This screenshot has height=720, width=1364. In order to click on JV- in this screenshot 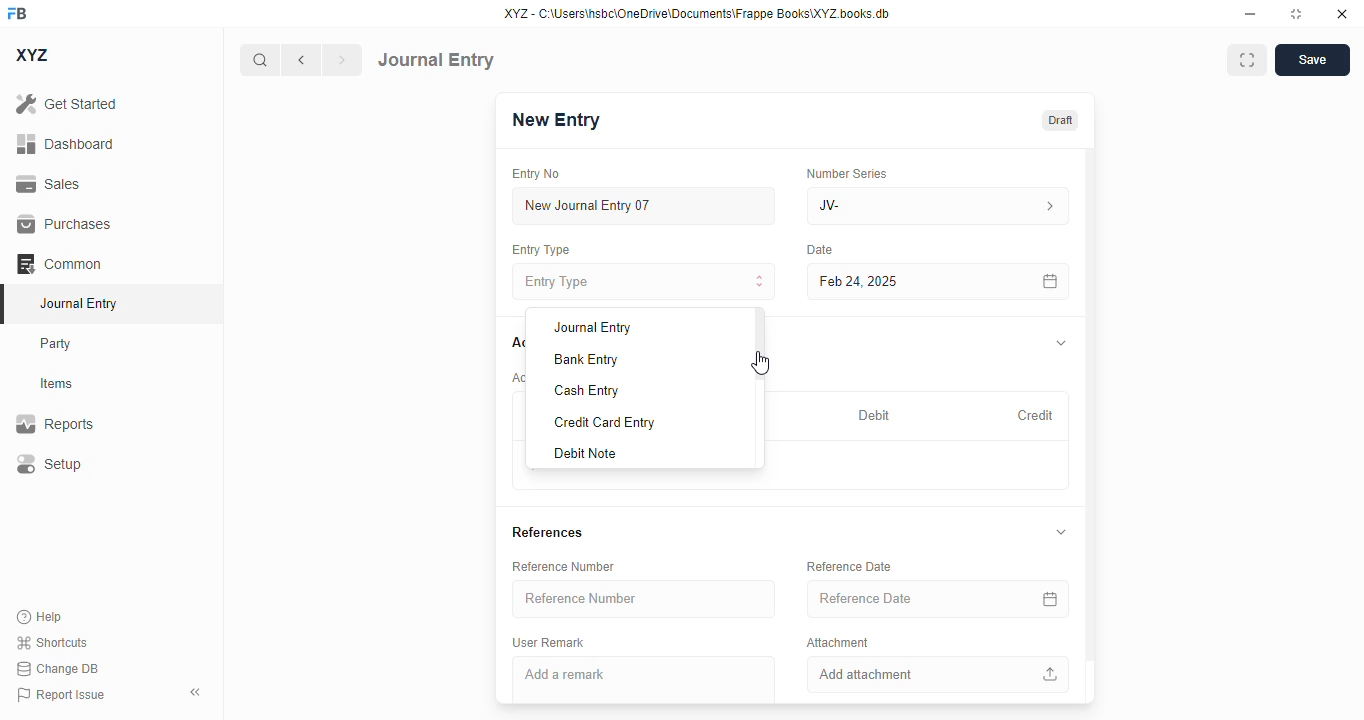, I will do `click(938, 206)`.